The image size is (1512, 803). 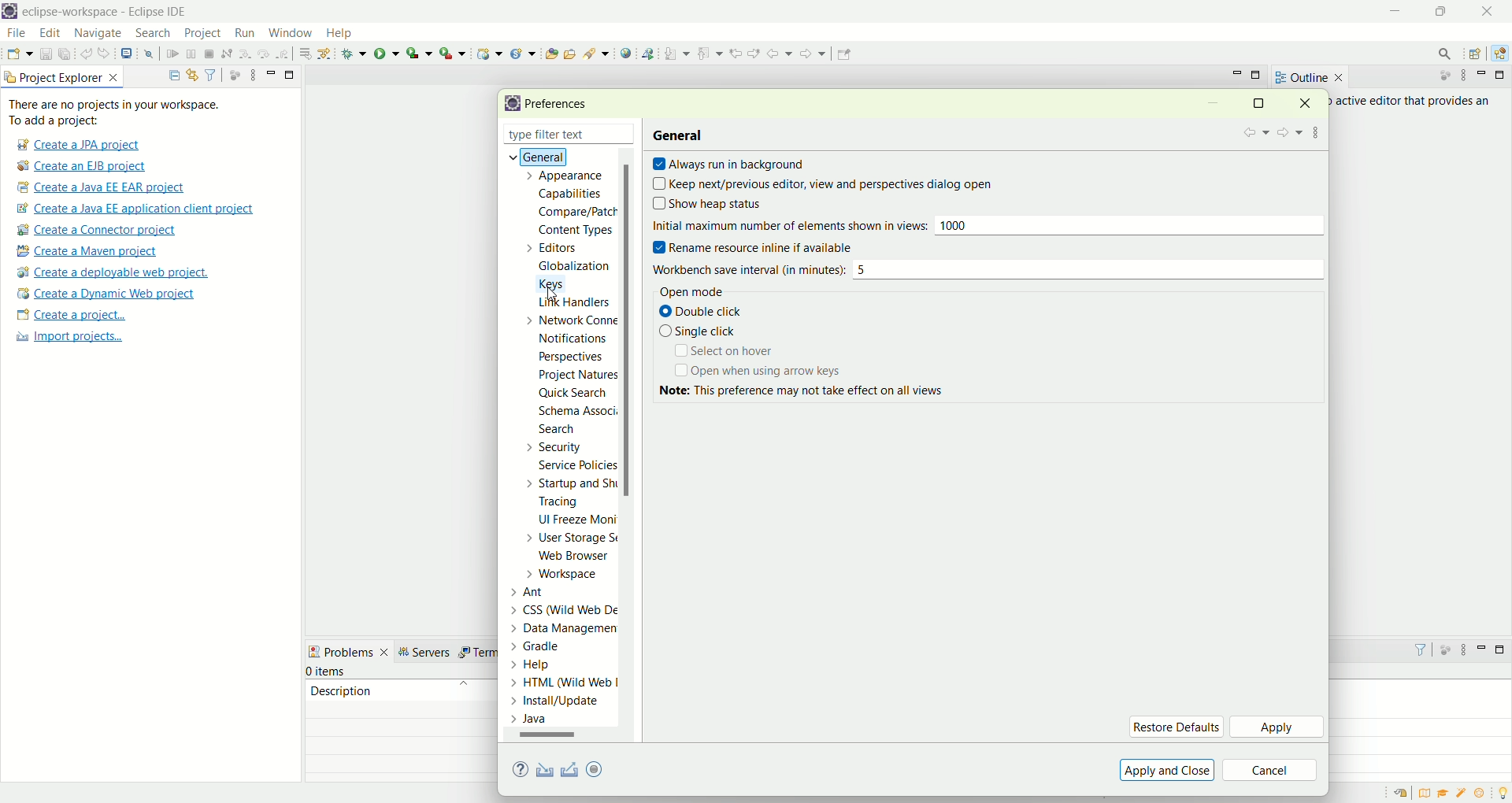 I want to click on scroll bar, so click(x=554, y=738).